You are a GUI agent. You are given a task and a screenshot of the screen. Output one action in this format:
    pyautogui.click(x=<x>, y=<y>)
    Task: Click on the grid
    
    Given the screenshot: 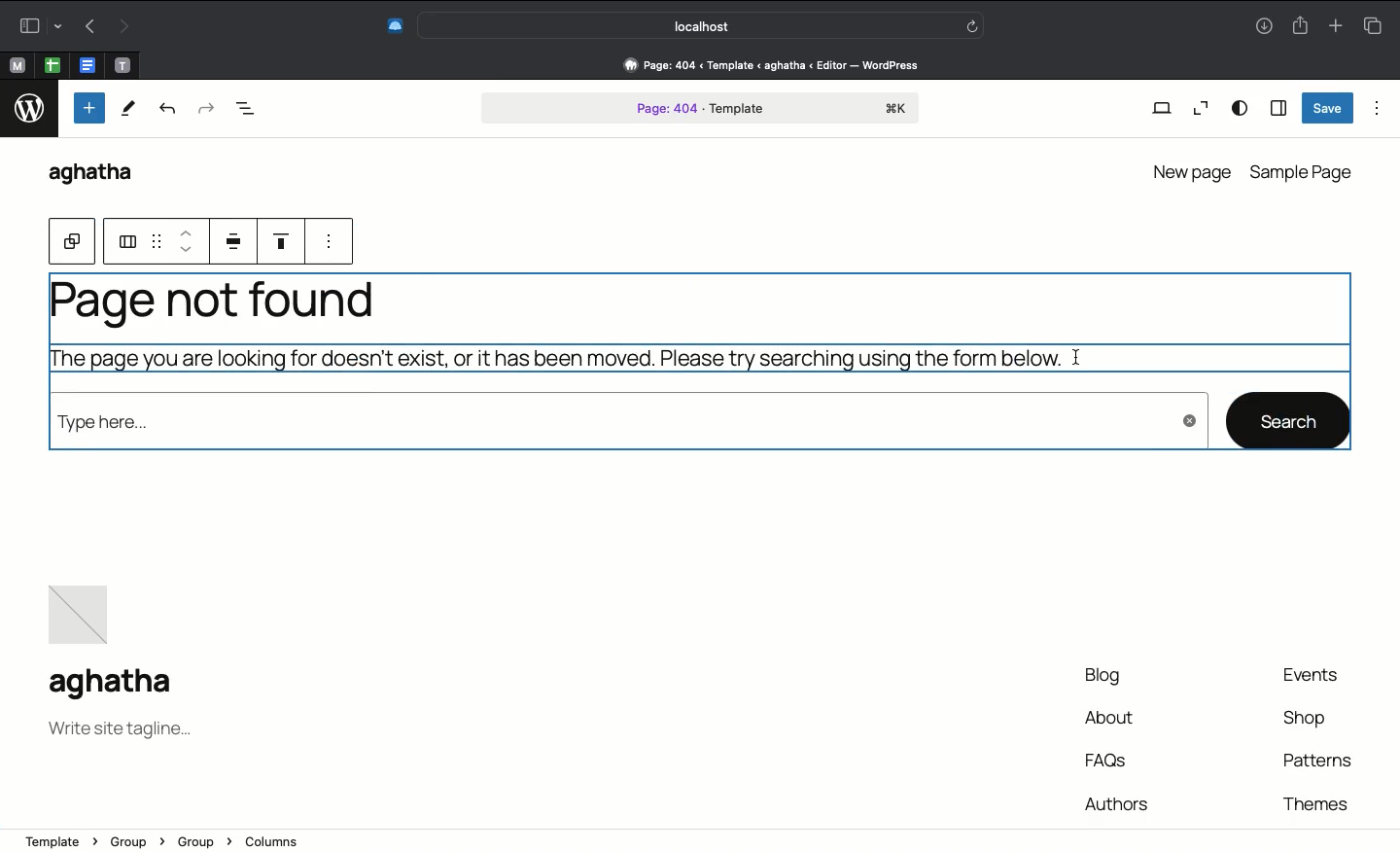 What is the action you would take?
    pyautogui.click(x=156, y=239)
    